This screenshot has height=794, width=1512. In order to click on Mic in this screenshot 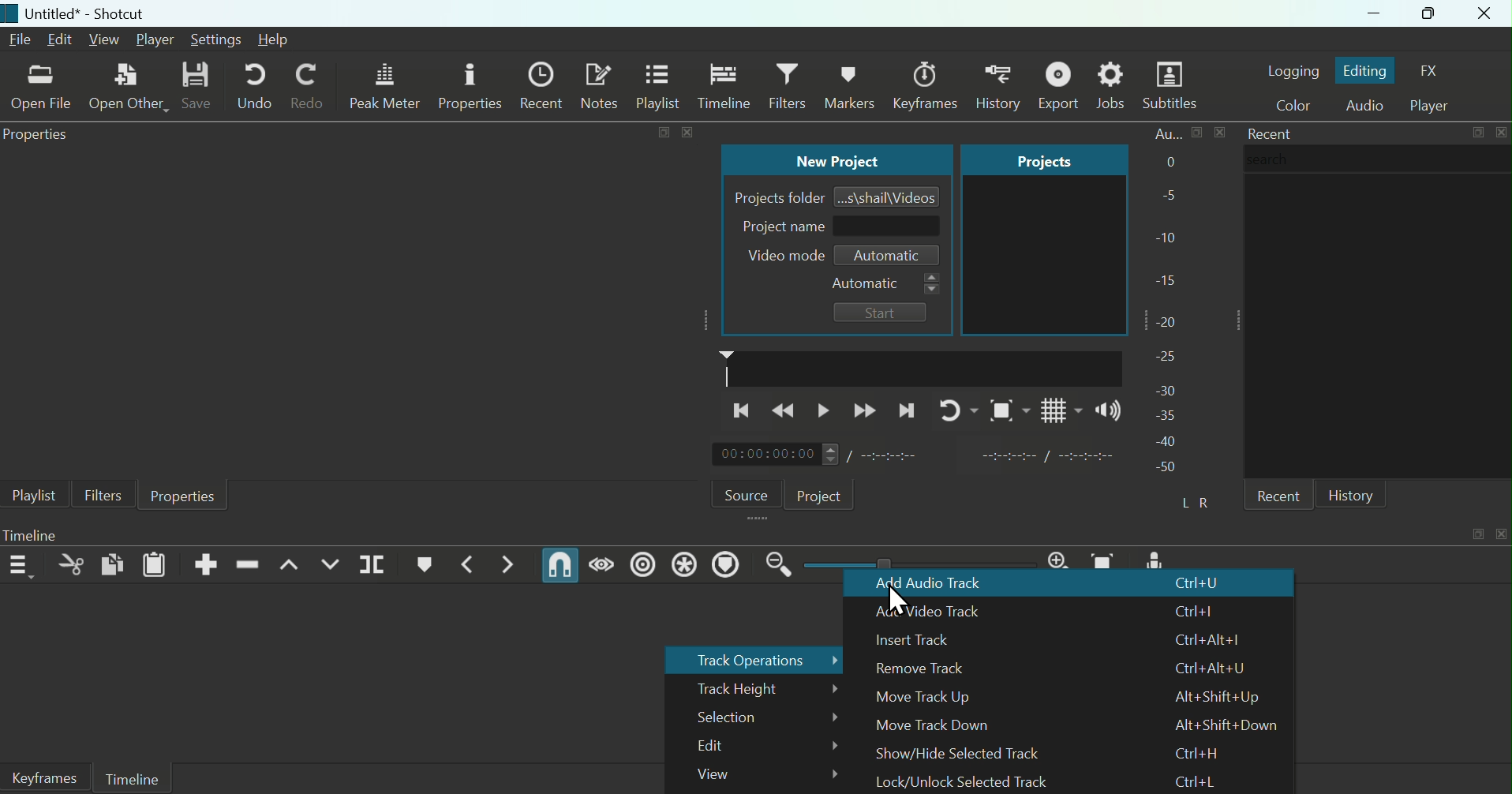, I will do `click(1158, 559)`.